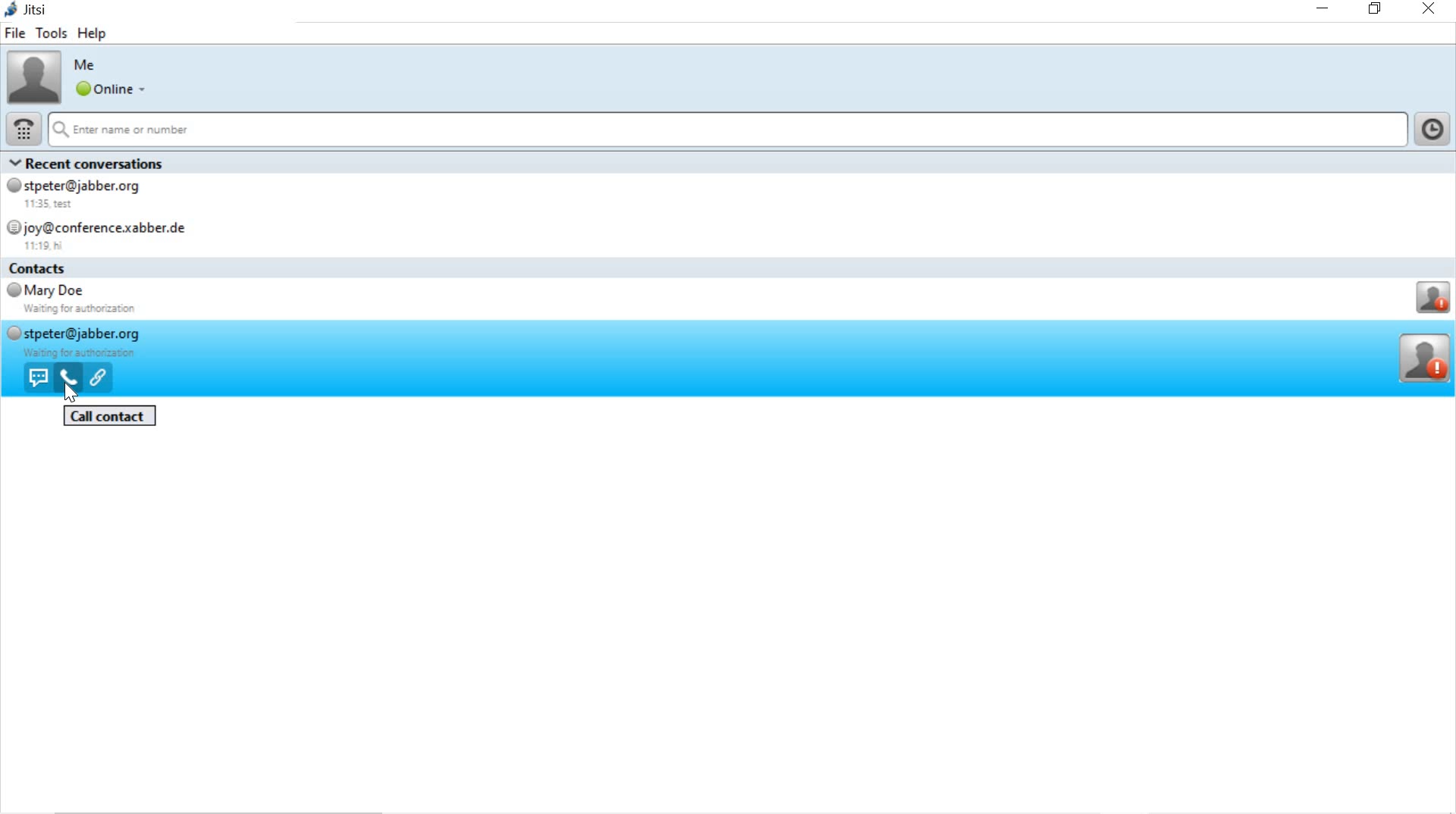  Describe the element at coordinates (24, 127) in the screenshot. I see `dial pad` at that location.